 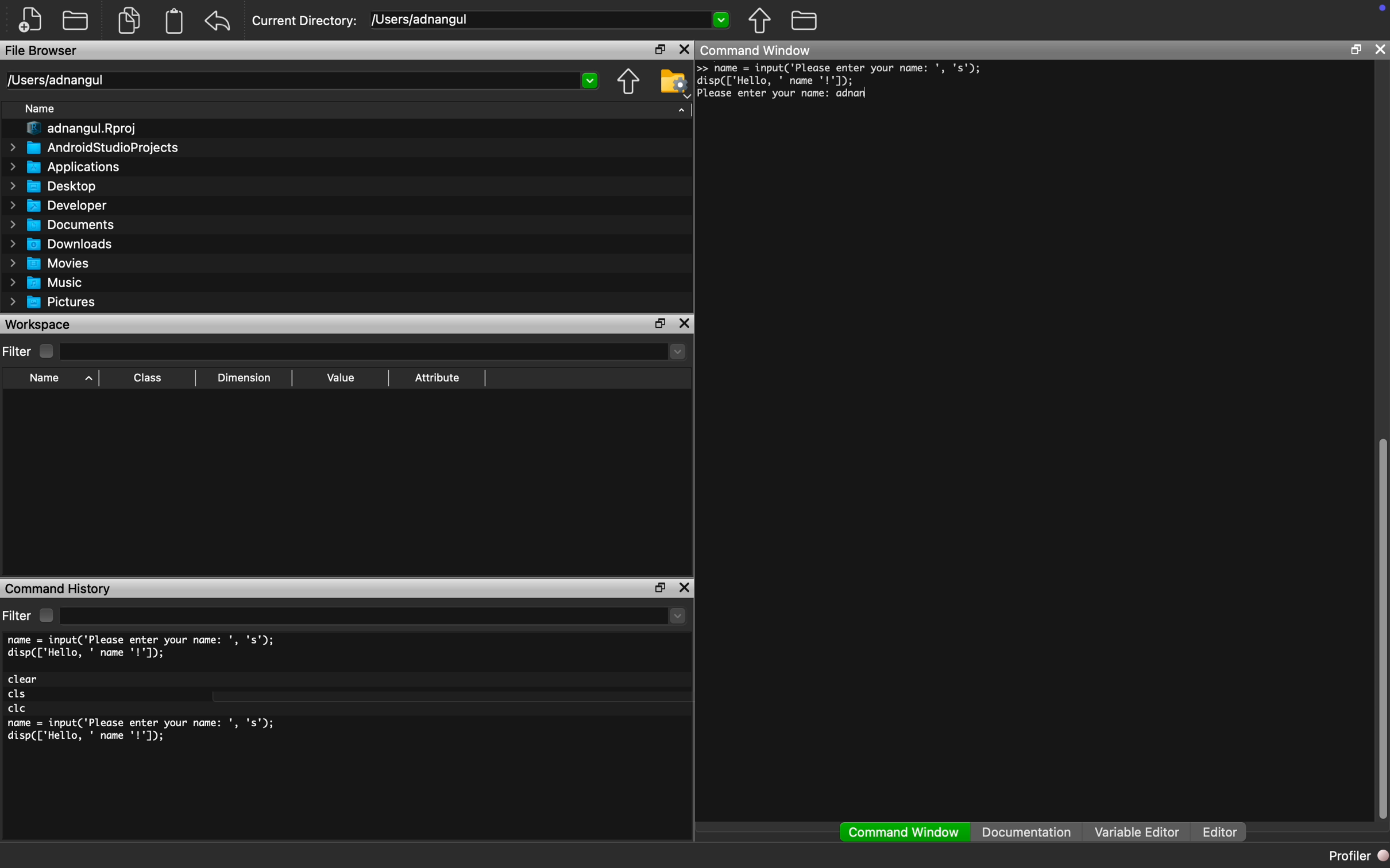 I want to click on close, so click(x=685, y=587).